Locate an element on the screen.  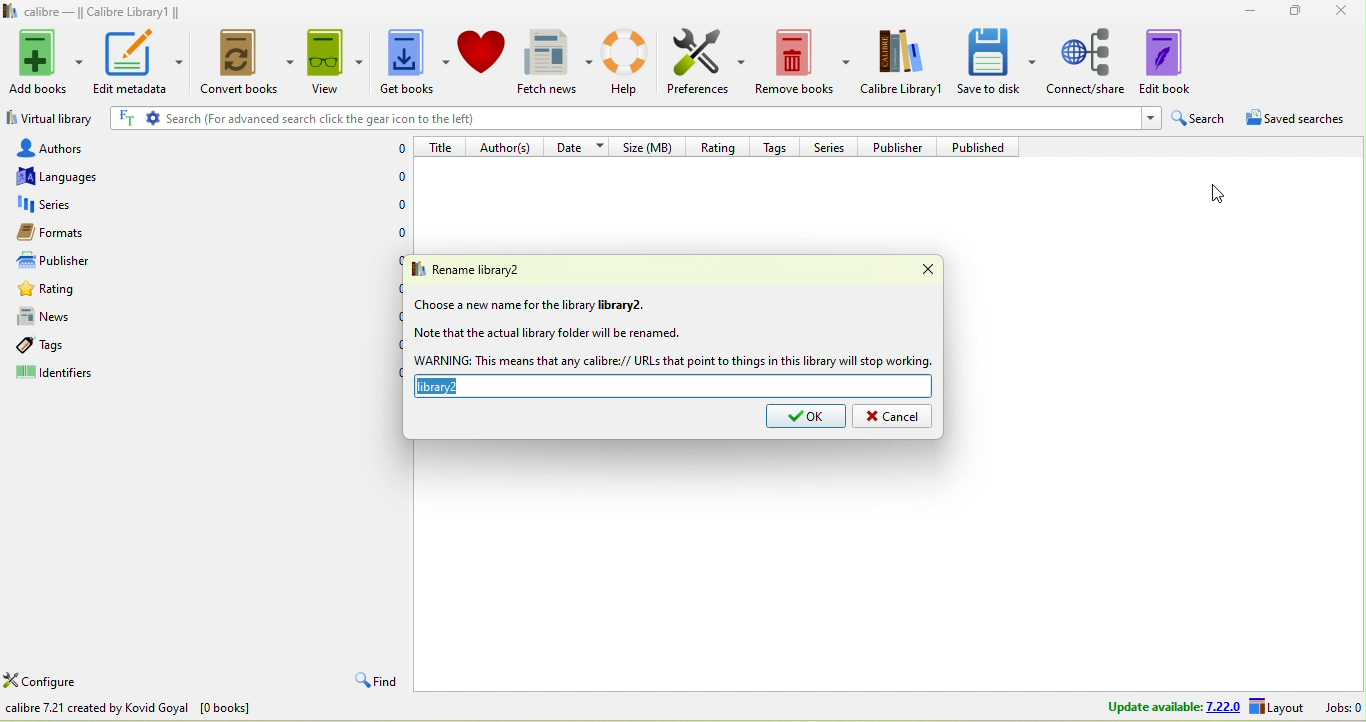
virtual library is located at coordinates (49, 121).